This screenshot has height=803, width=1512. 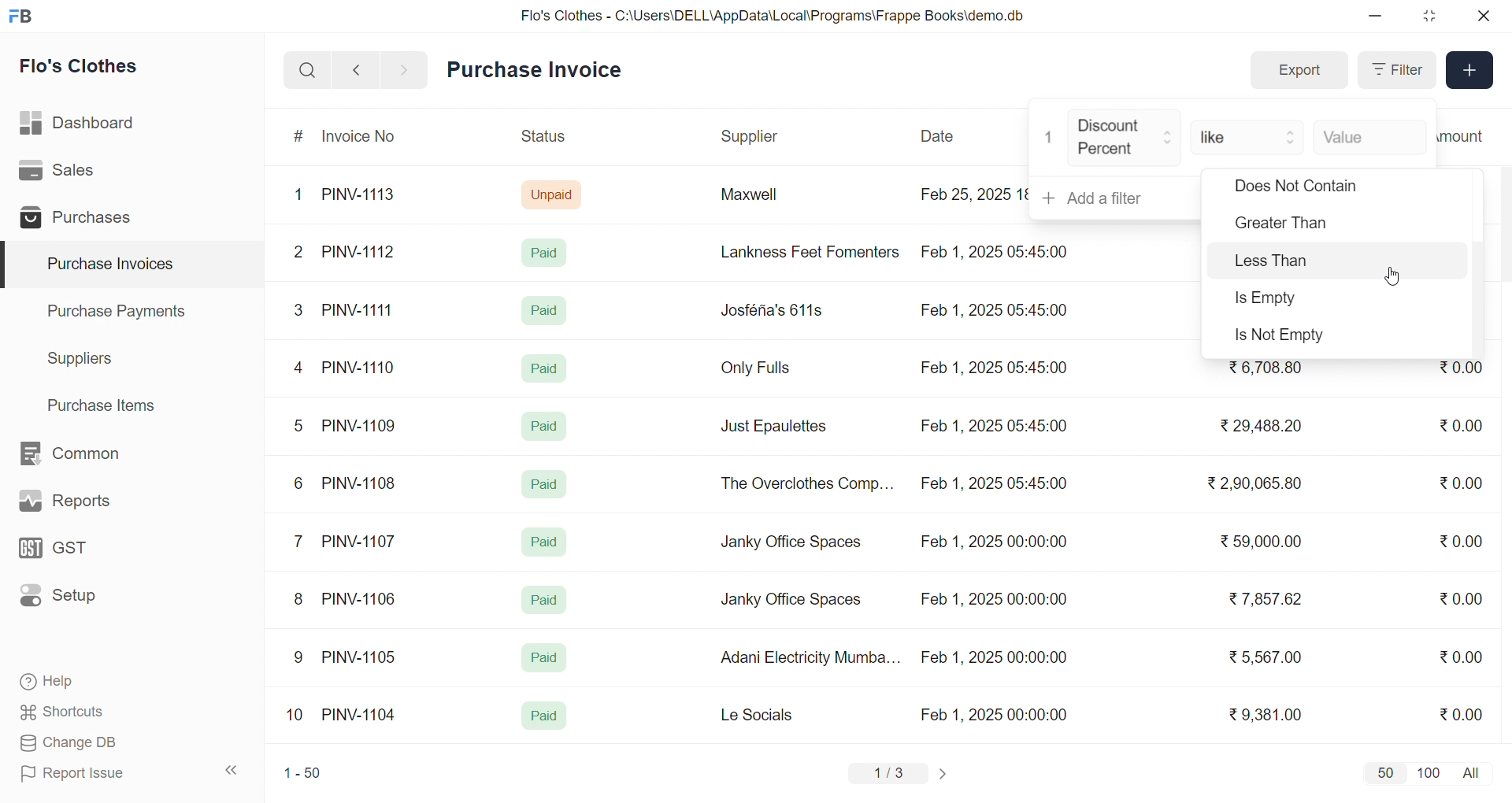 What do you see at coordinates (360, 483) in the screenshot?
I see `PINV-1108` at bounding box center [360, 483].